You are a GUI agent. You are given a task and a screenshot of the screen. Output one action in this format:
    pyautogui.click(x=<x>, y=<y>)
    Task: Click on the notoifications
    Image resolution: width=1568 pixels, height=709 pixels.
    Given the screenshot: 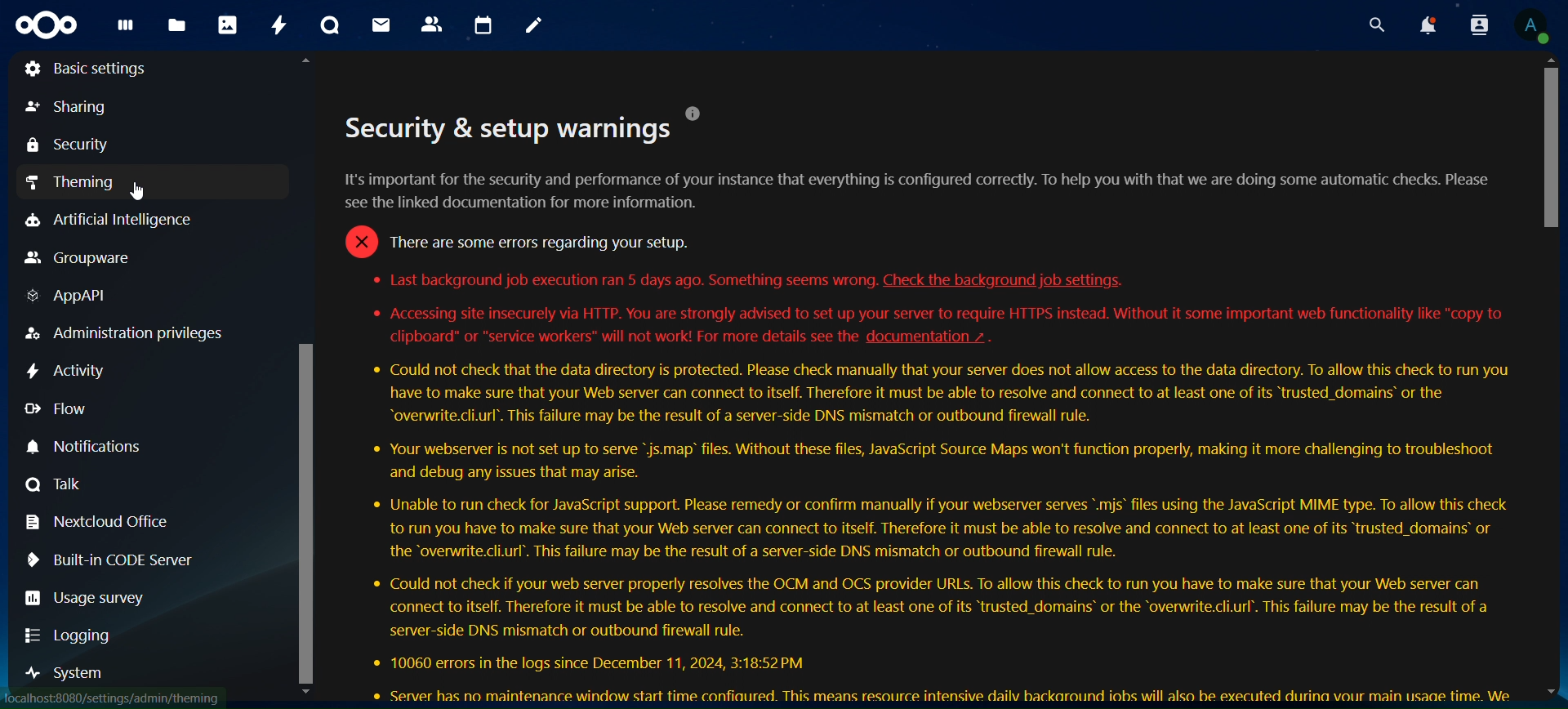 What is the action you would take?
    pyautogui.click(x=1429, y=26)
    